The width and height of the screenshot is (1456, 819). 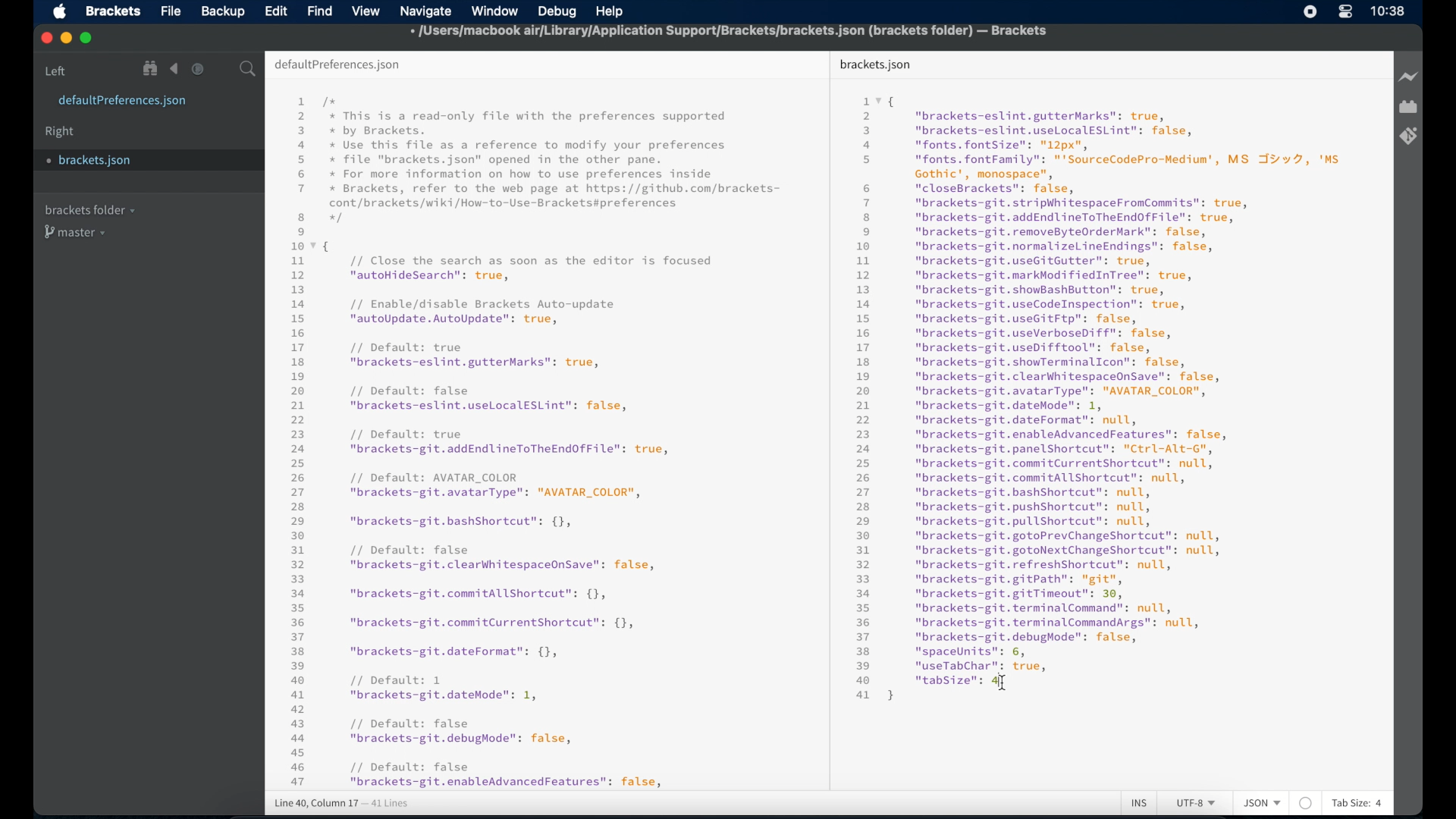 I want to click on json syntax, so click(x=1098, y=397).